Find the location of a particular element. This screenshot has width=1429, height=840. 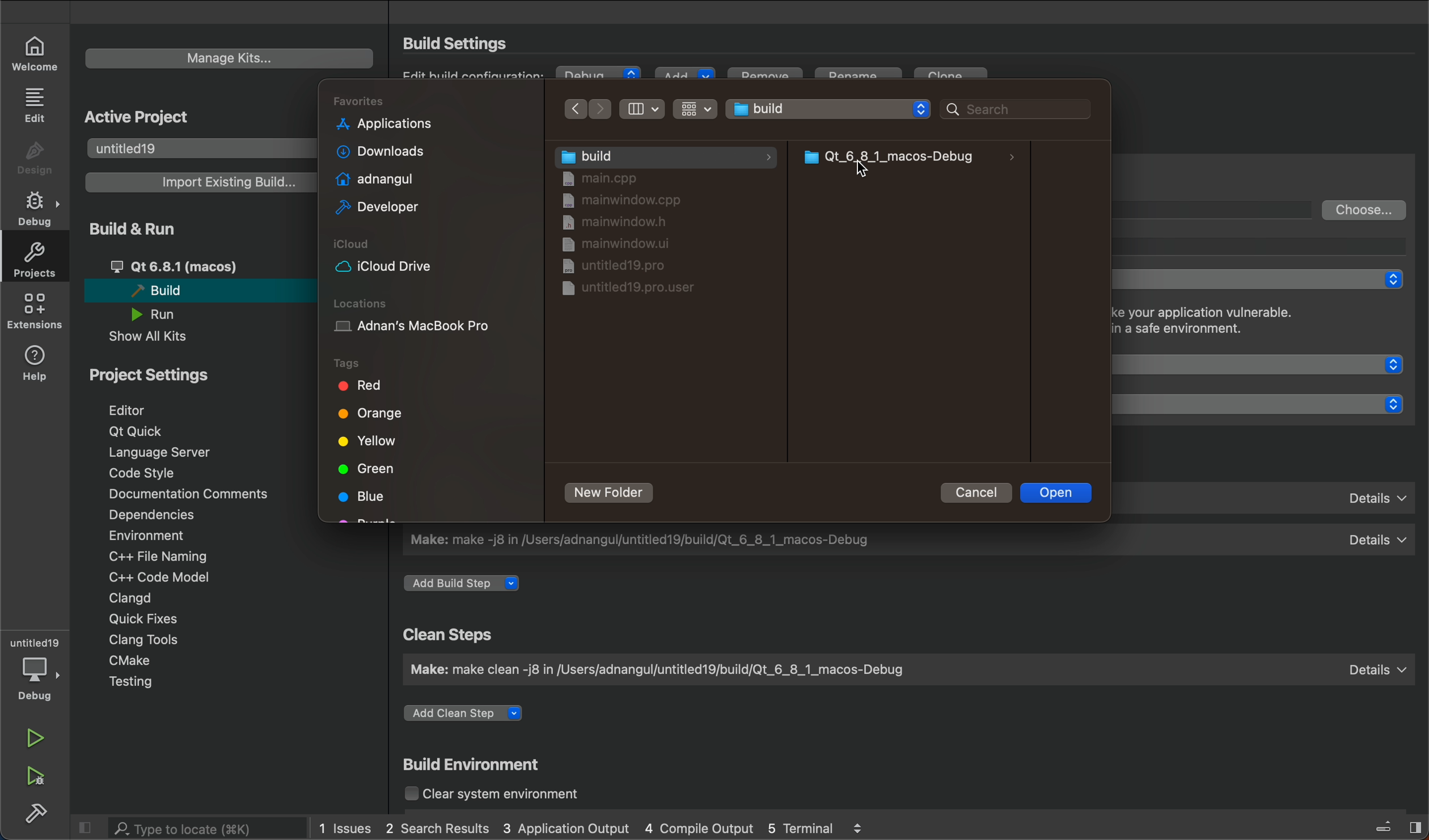

c++ code model is located at coordinates (157, 577).